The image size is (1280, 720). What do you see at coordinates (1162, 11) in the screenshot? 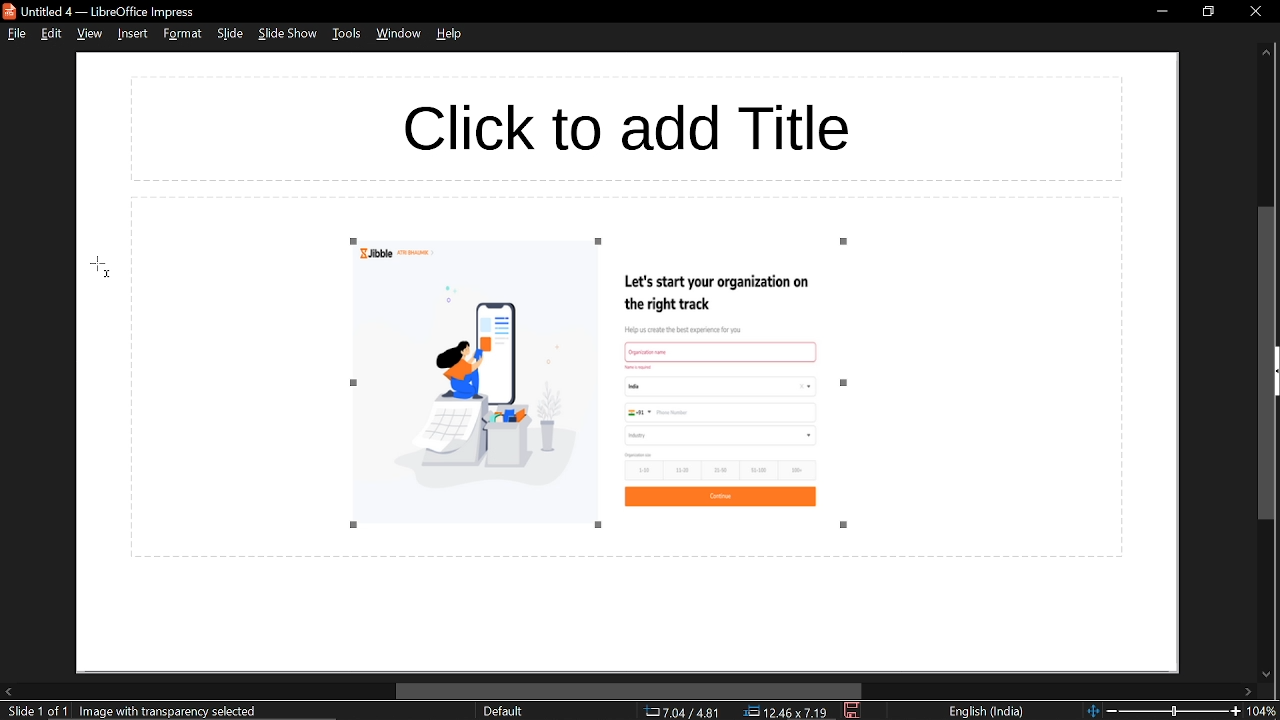
I see `minimize` at bounding box center [1162, 11].